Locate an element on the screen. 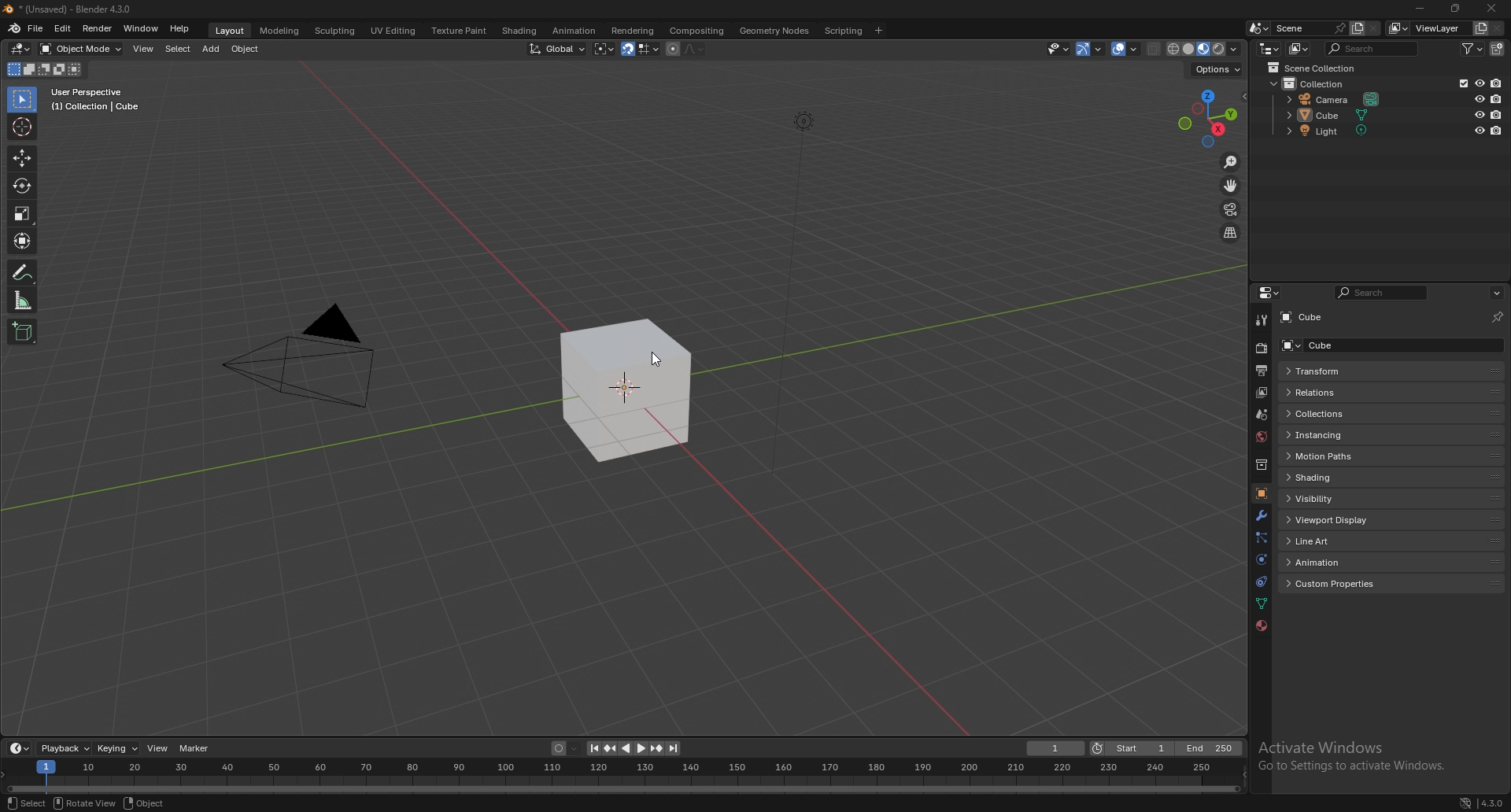 The height and width of the screenshot is (812, 1511). layout is located at coordinates (227, 28).